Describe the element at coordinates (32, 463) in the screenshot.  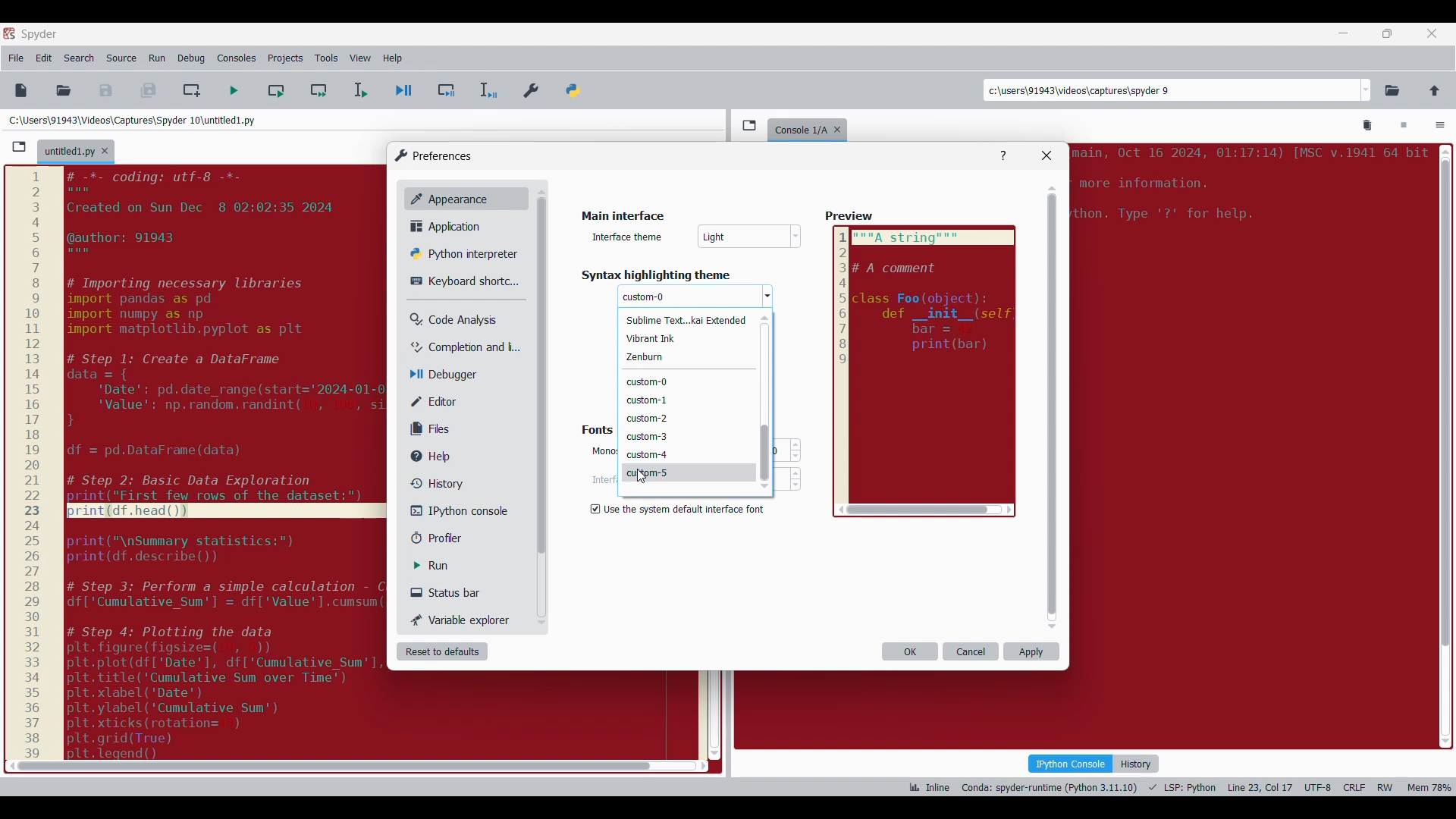
I see `scale` at that location.